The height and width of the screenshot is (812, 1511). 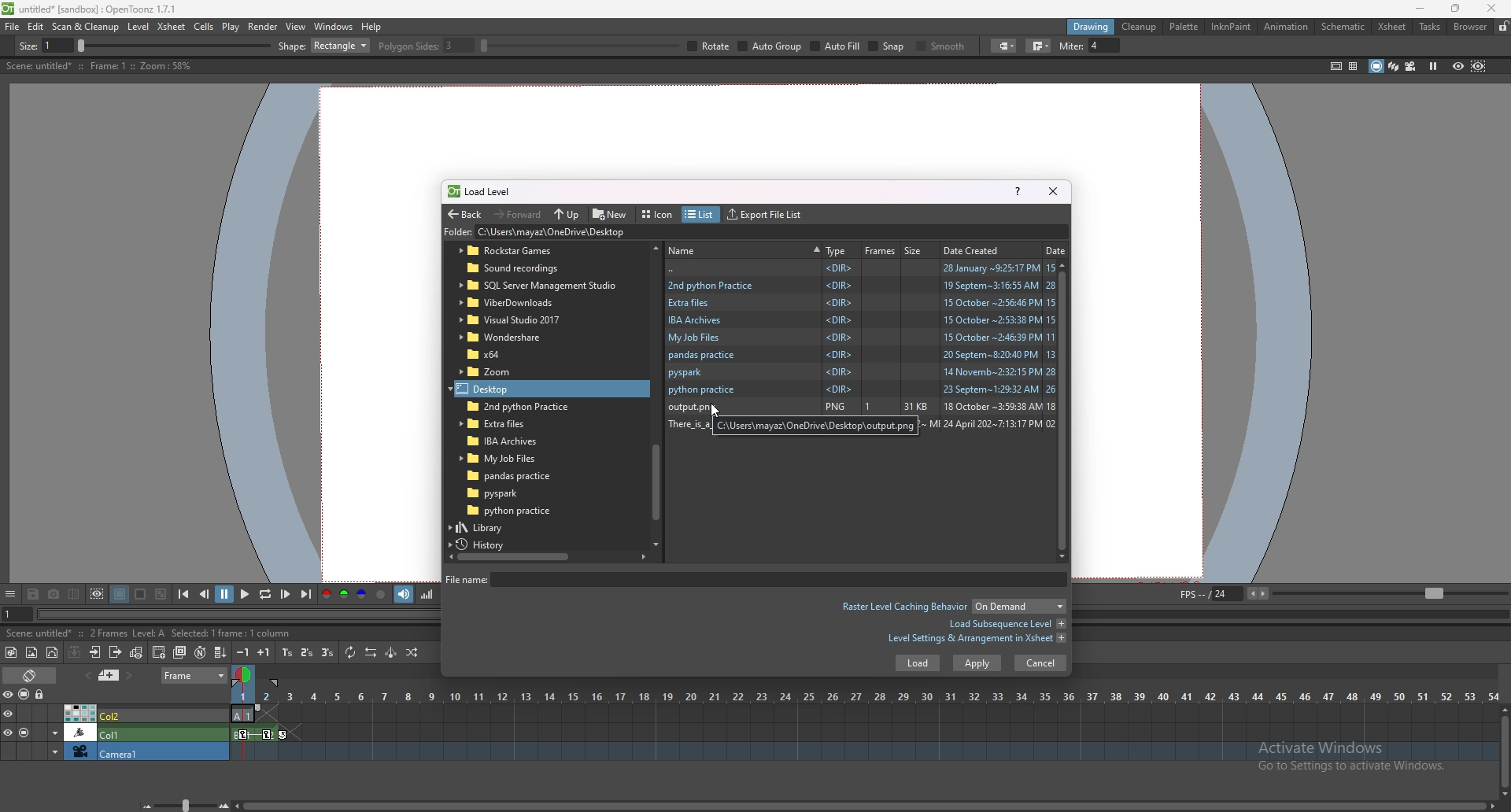 I want to click on level settings and arrangement, so click(x=977, y=638).